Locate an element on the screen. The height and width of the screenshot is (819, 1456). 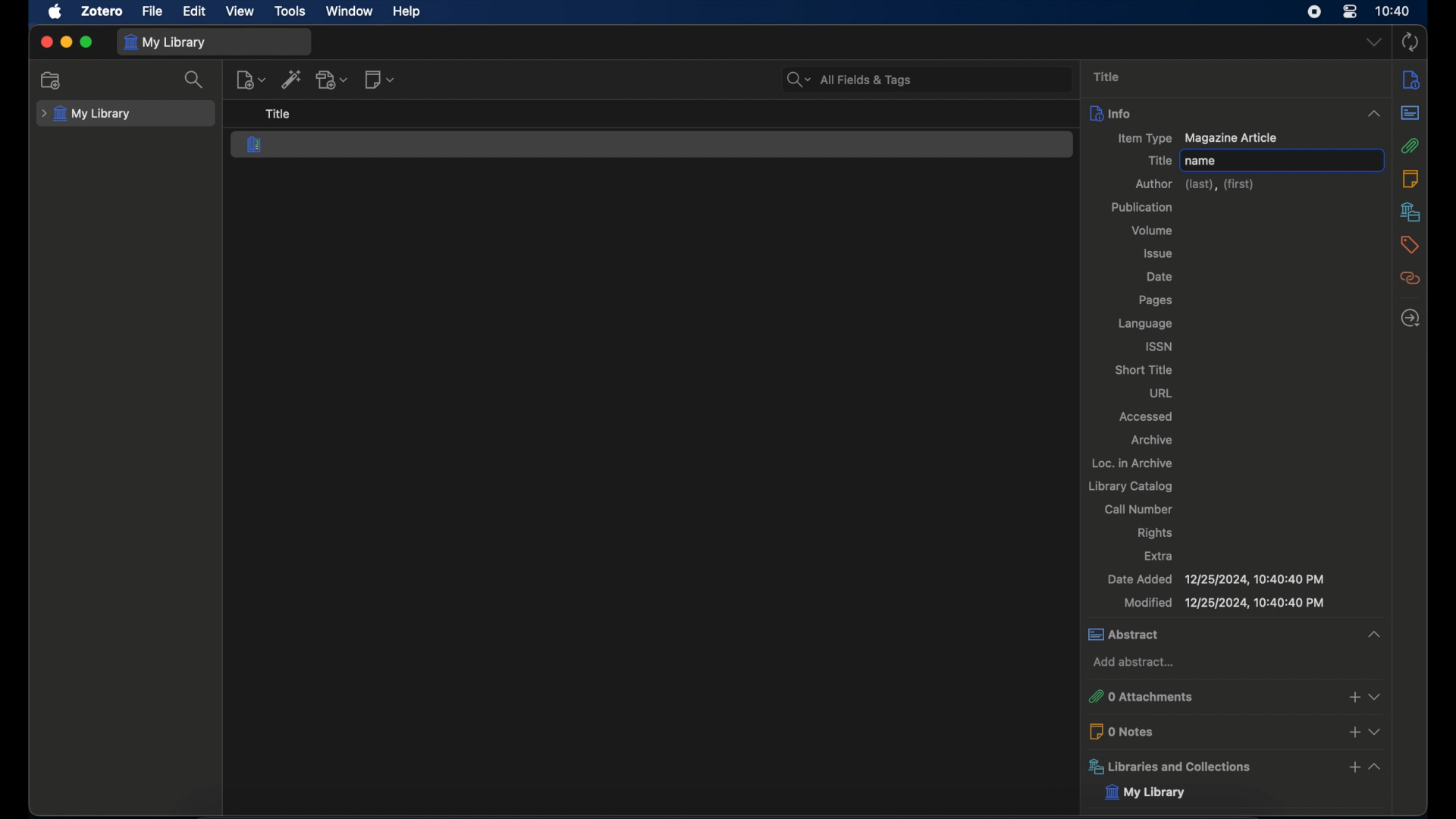
magazine article  is located at coordinates (255, 144).